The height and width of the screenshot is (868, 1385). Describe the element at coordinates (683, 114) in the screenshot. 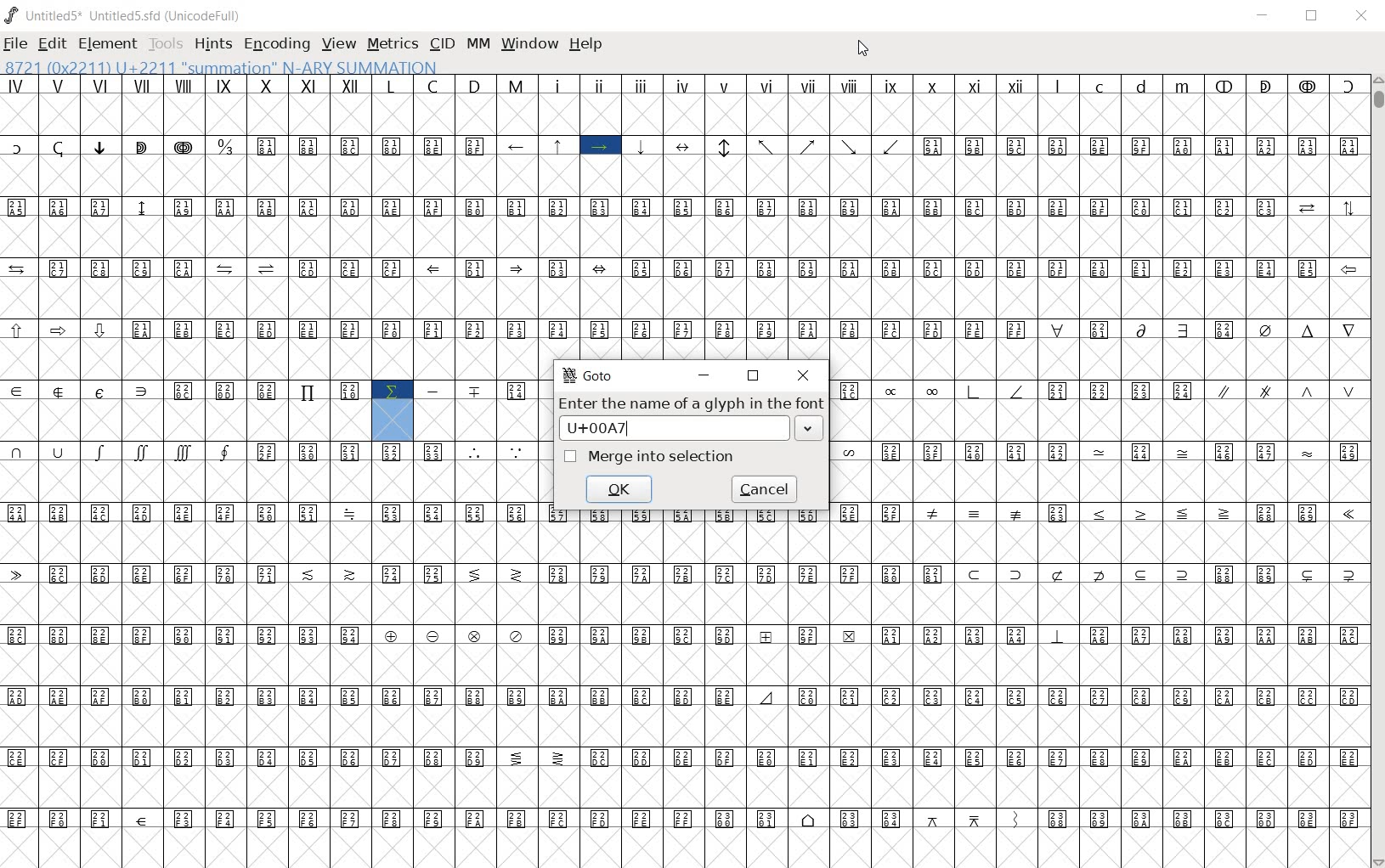

I see `empty cells` at that location.